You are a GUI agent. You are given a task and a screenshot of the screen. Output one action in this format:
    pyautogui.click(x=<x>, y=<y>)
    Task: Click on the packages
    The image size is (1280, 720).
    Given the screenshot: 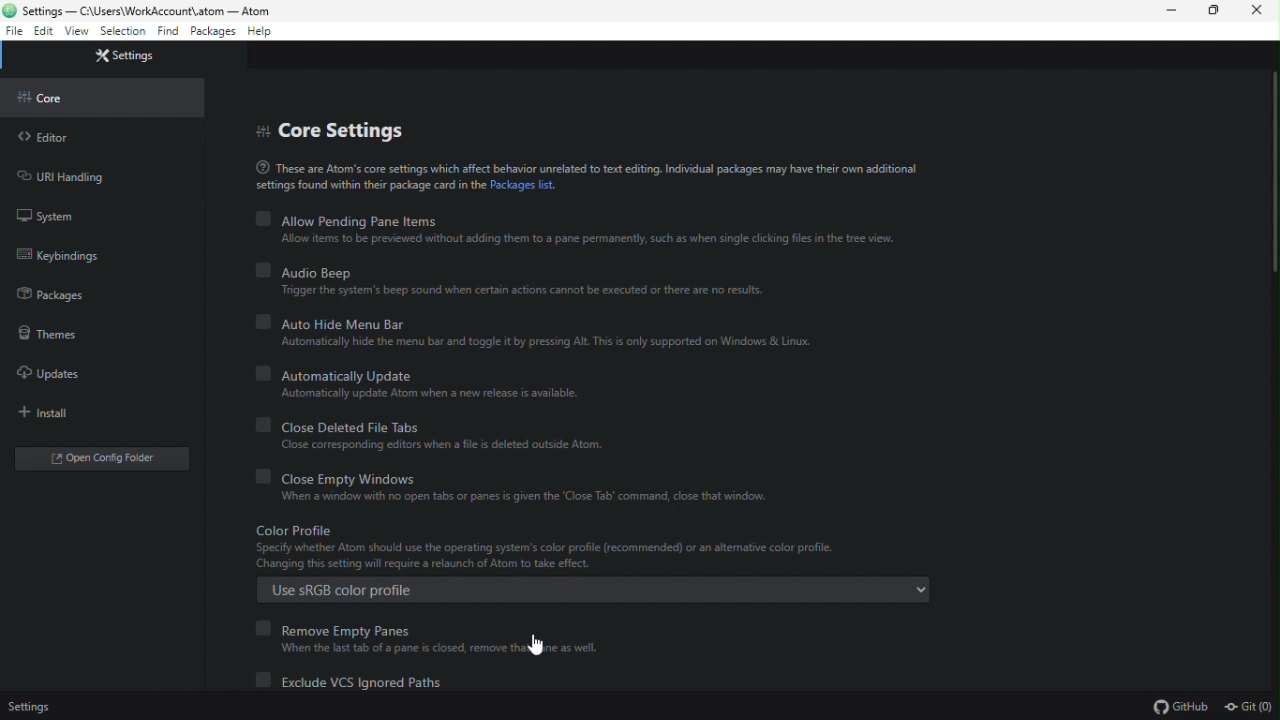 What is the action you would take?
    pyautogui.click(x=212, y=32)
    